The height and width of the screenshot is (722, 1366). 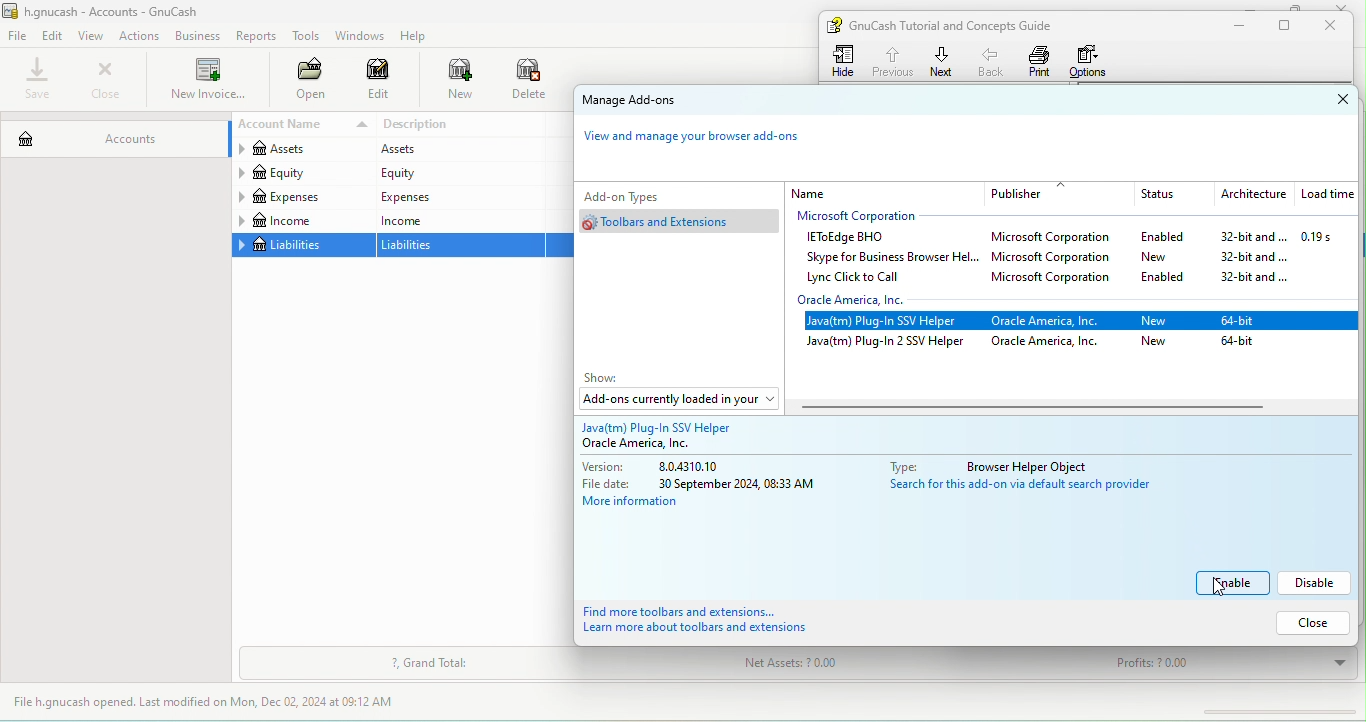 I want to click on toolbars and extensions, so click(x=683, y=221).